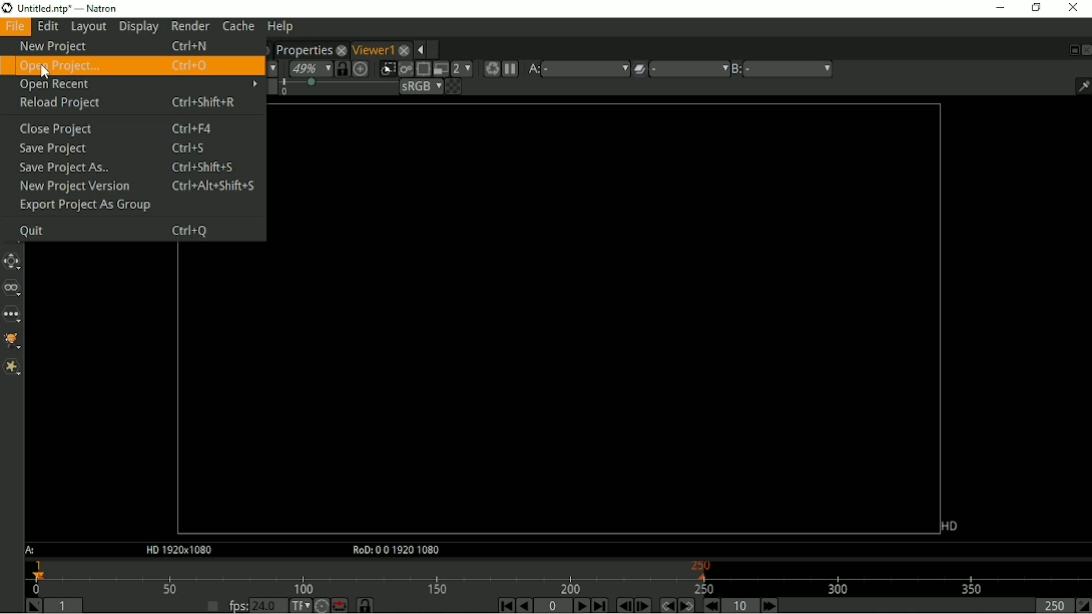 Image resolution: width=1092 pixels, height=614 pixels. I want to click on Render, so click(190, 25).